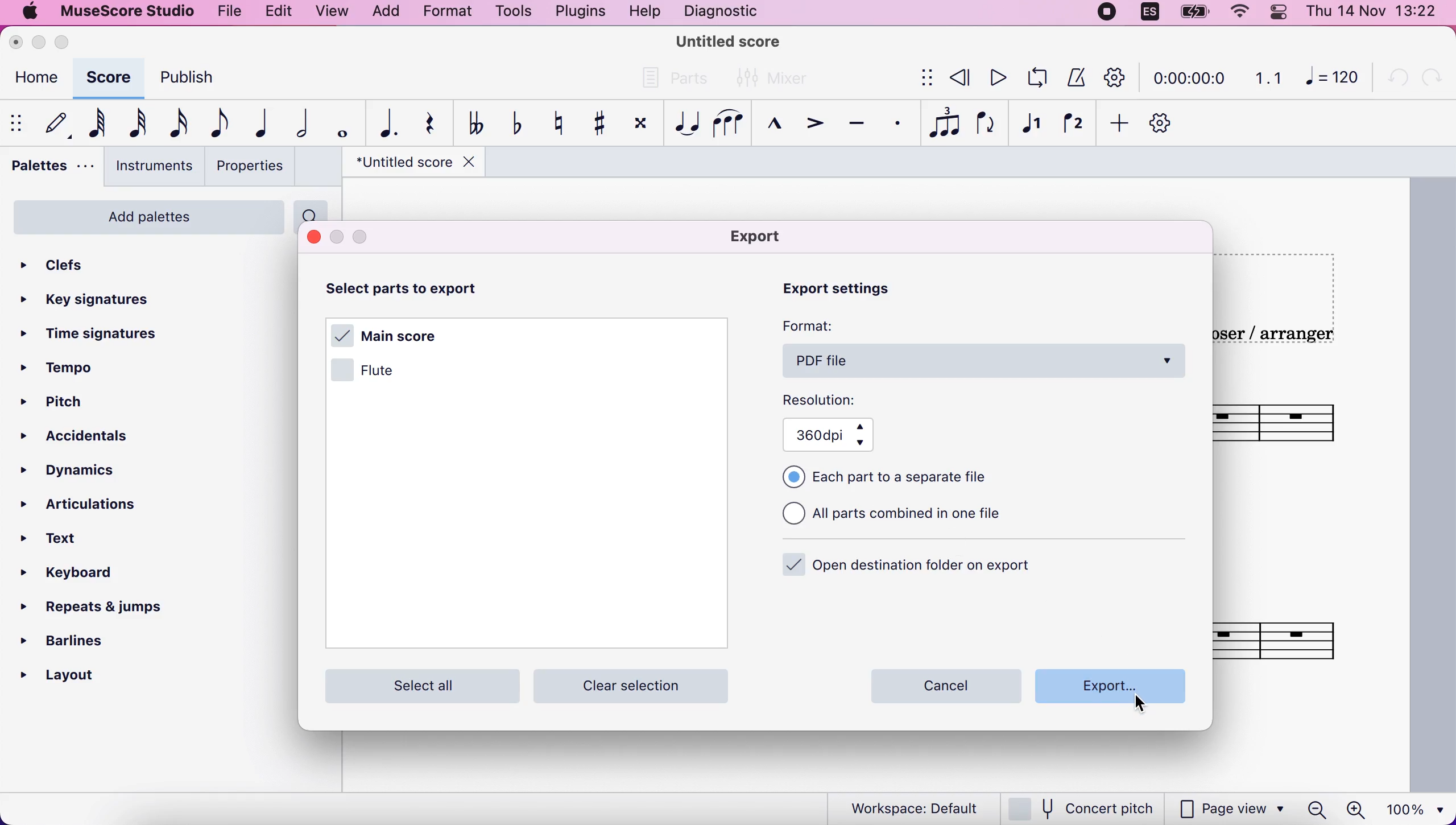  What do you see at coordinates (312, 237) in the screenshot?
I see `close` at bounding box center [312, 237].